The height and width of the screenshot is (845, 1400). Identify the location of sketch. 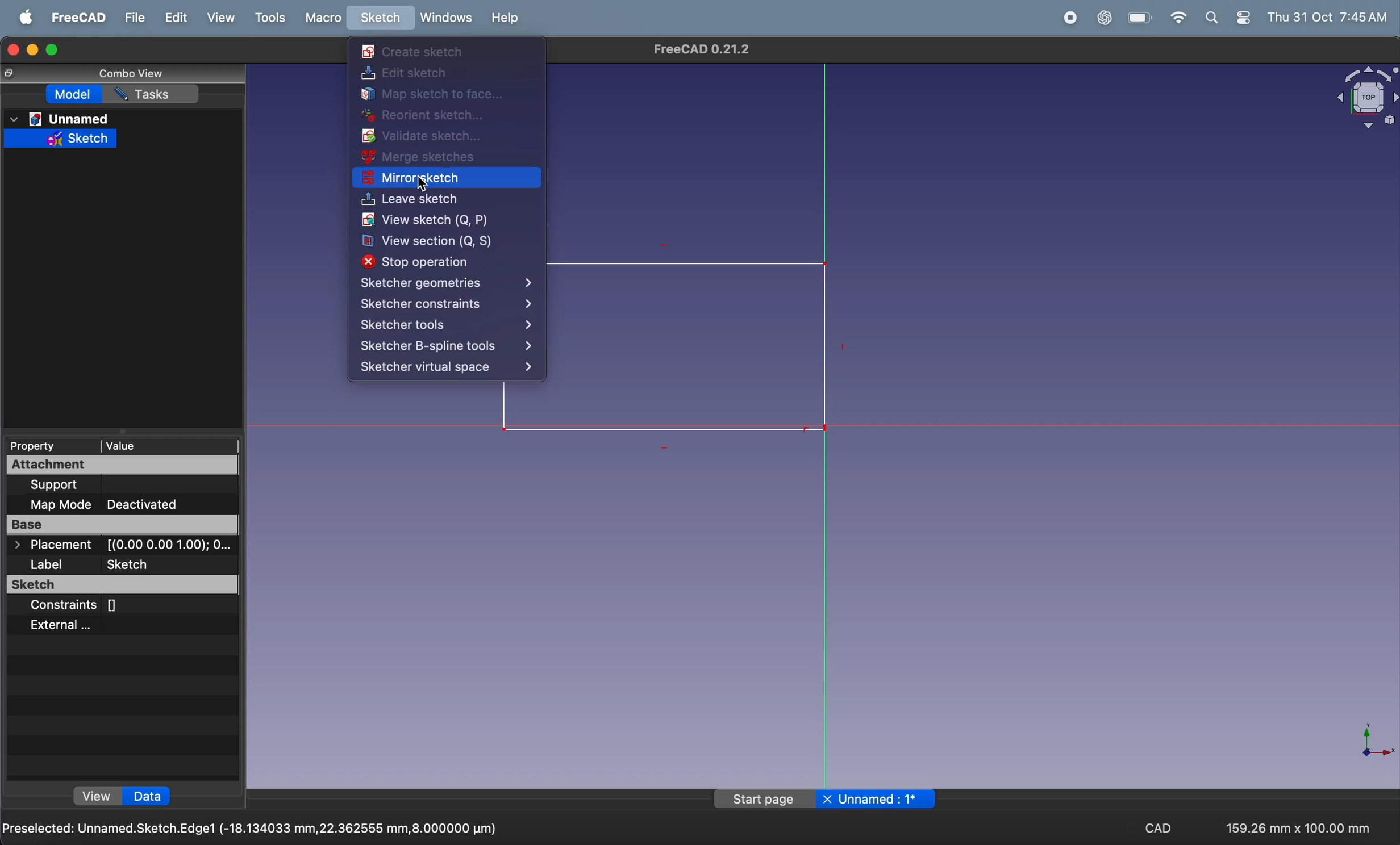
(63, 140).